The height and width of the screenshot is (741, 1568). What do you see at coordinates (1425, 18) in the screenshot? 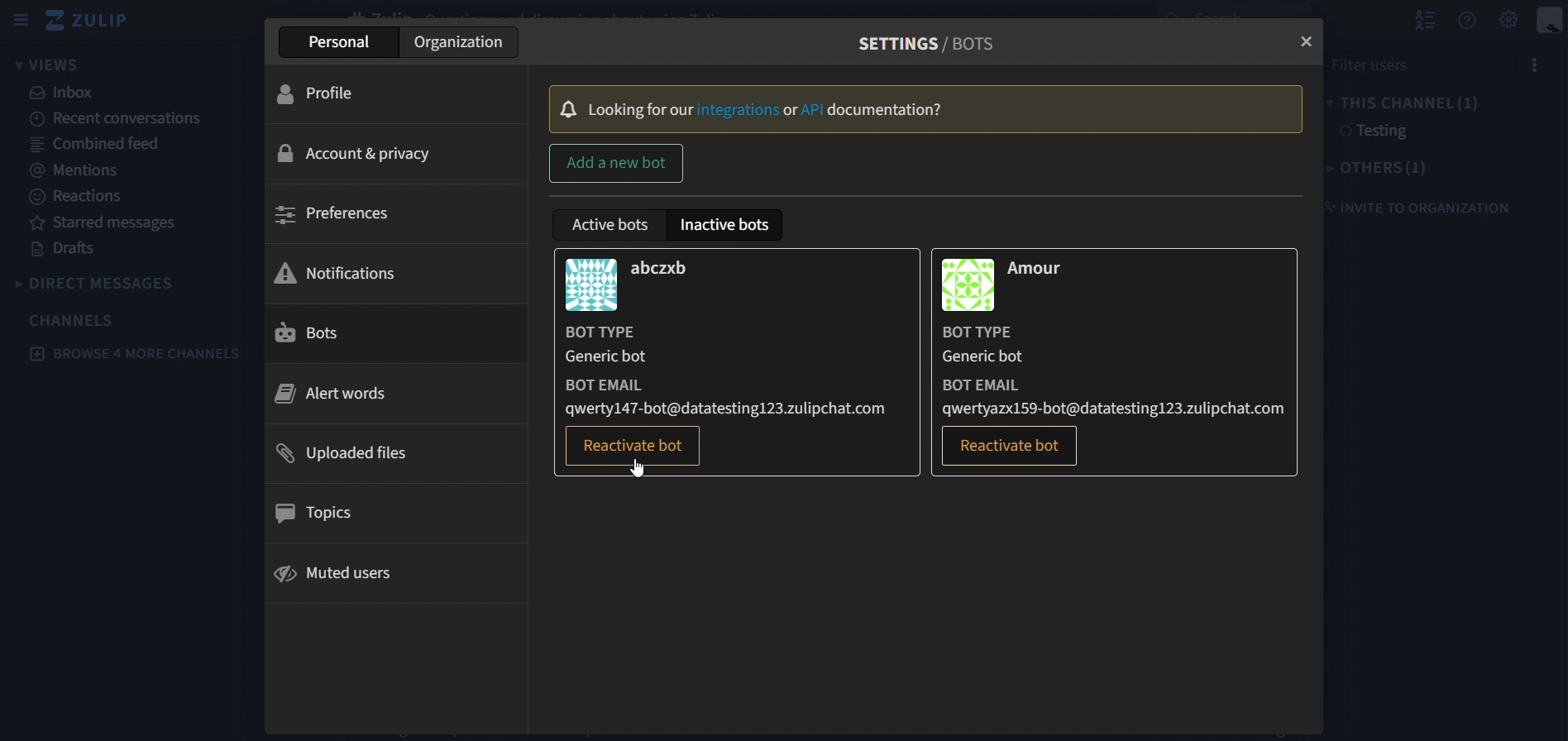
I see `hide user list` at bounding box center [1425, 18].